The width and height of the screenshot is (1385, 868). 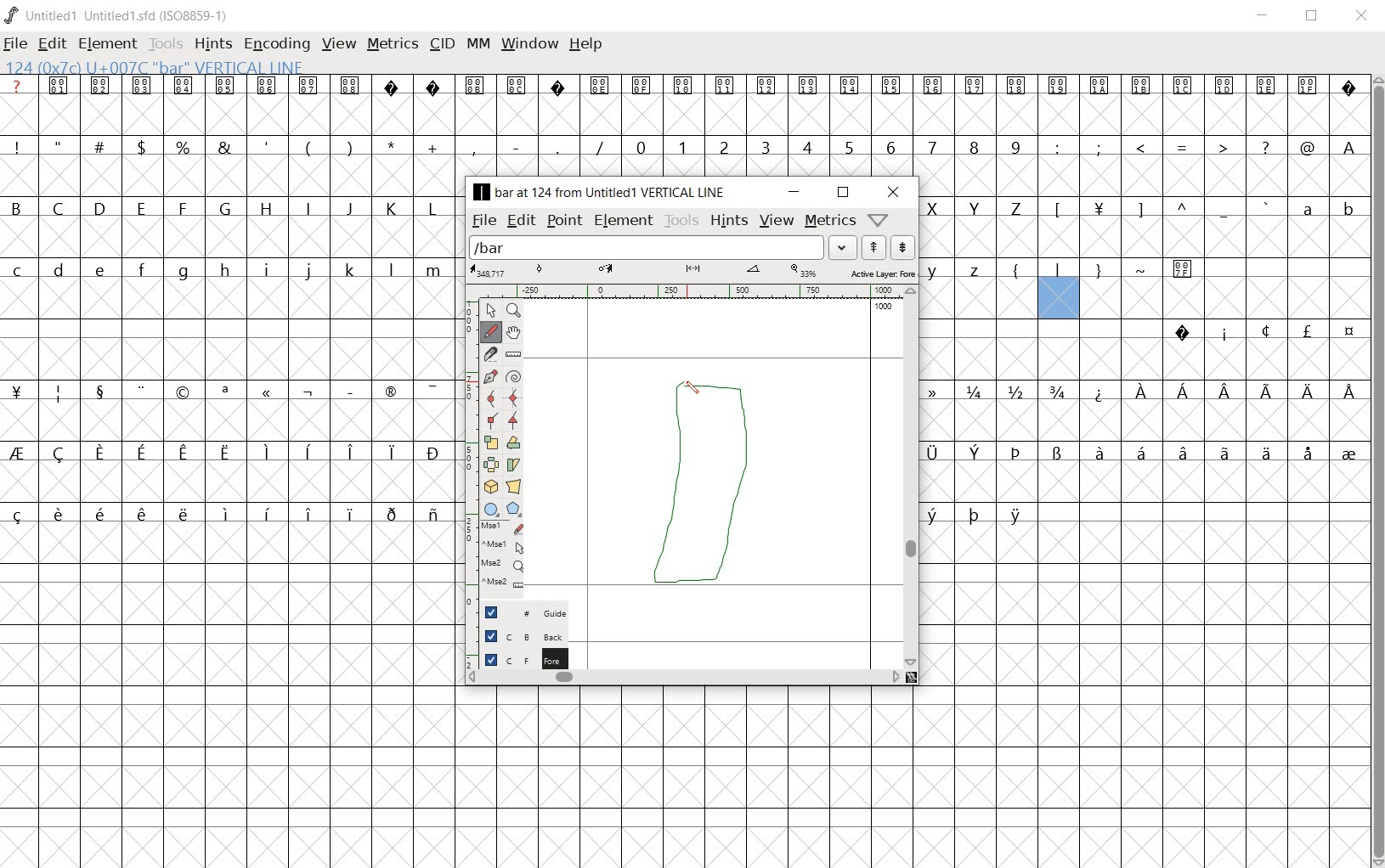 I want to click on change whether spiro is active or not, so click(x=512, y=375).